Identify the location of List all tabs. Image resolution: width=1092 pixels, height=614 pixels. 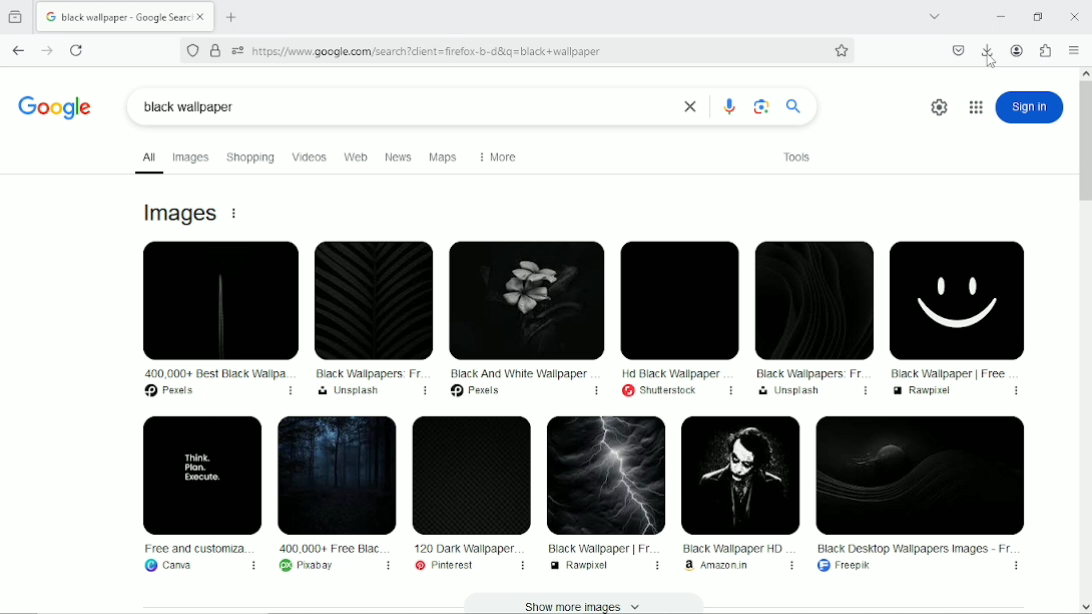
(936, 15).